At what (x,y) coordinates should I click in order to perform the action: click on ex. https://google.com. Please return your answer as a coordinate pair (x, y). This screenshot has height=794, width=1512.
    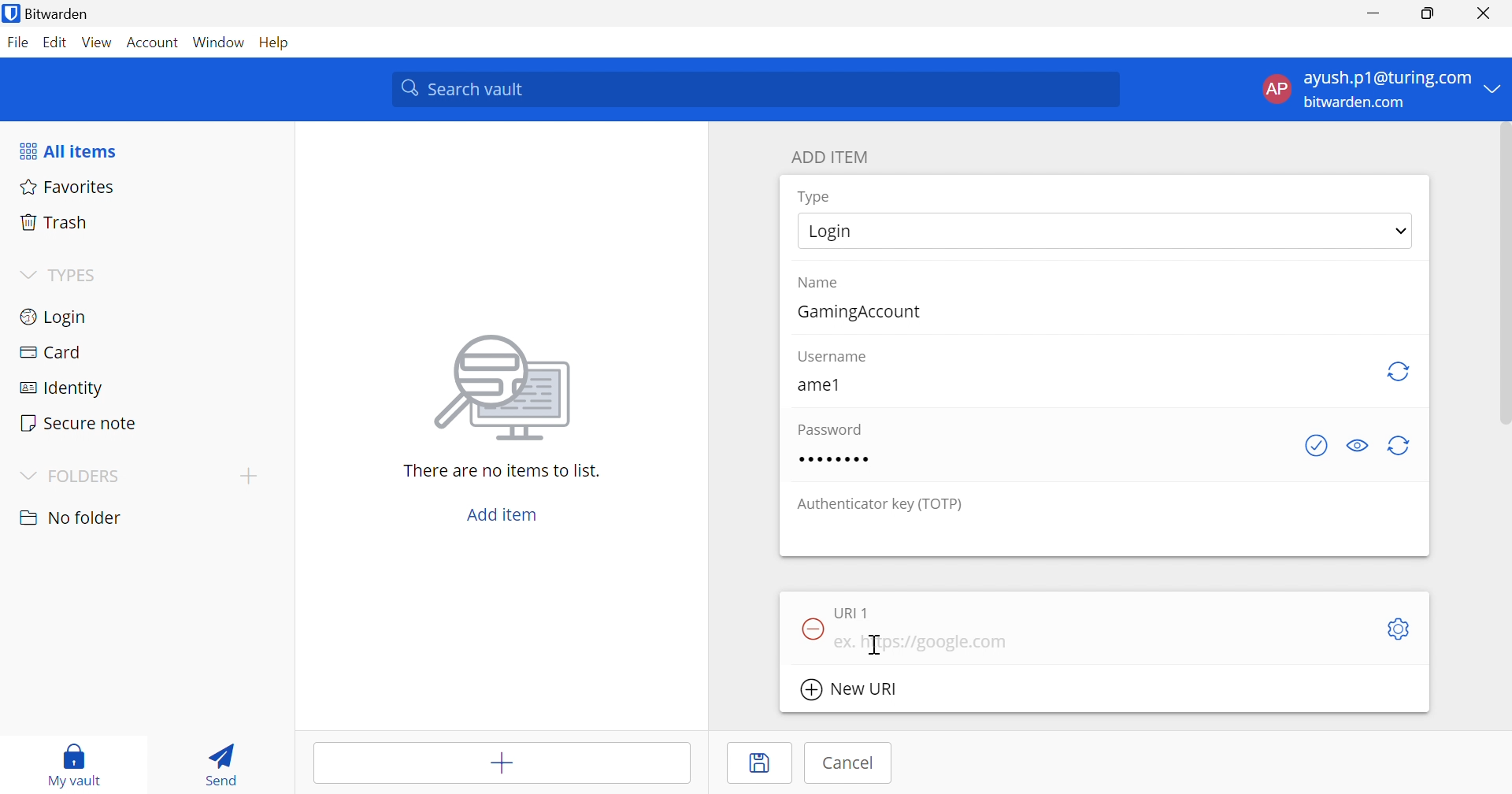
    Looking at the image, I should click on (923, 643).